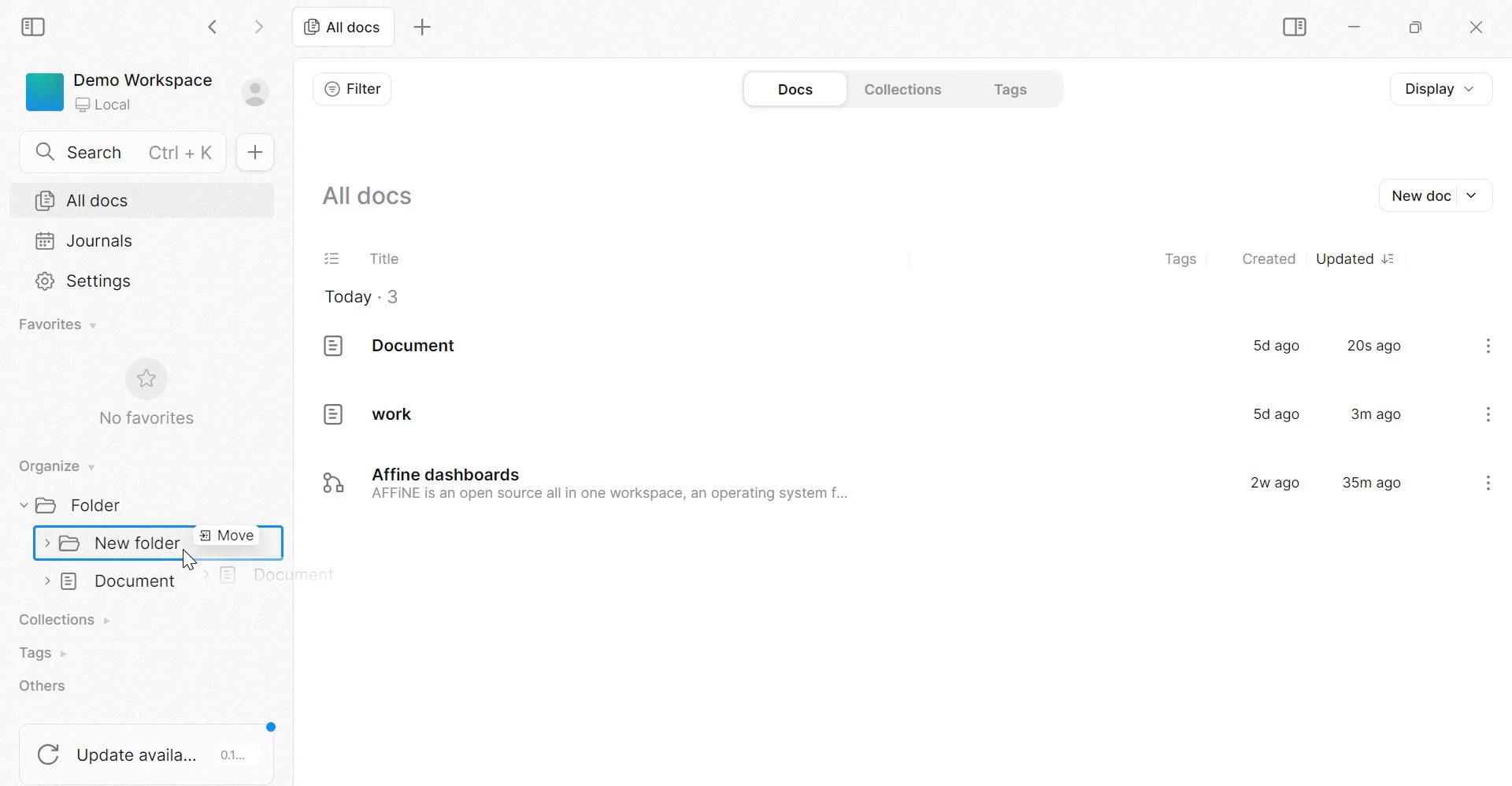 The image size is (1512, 786). What do you see at coordinates (120, 543) in the screenshot?
I see `New folder` at bounding box center [120, 543].